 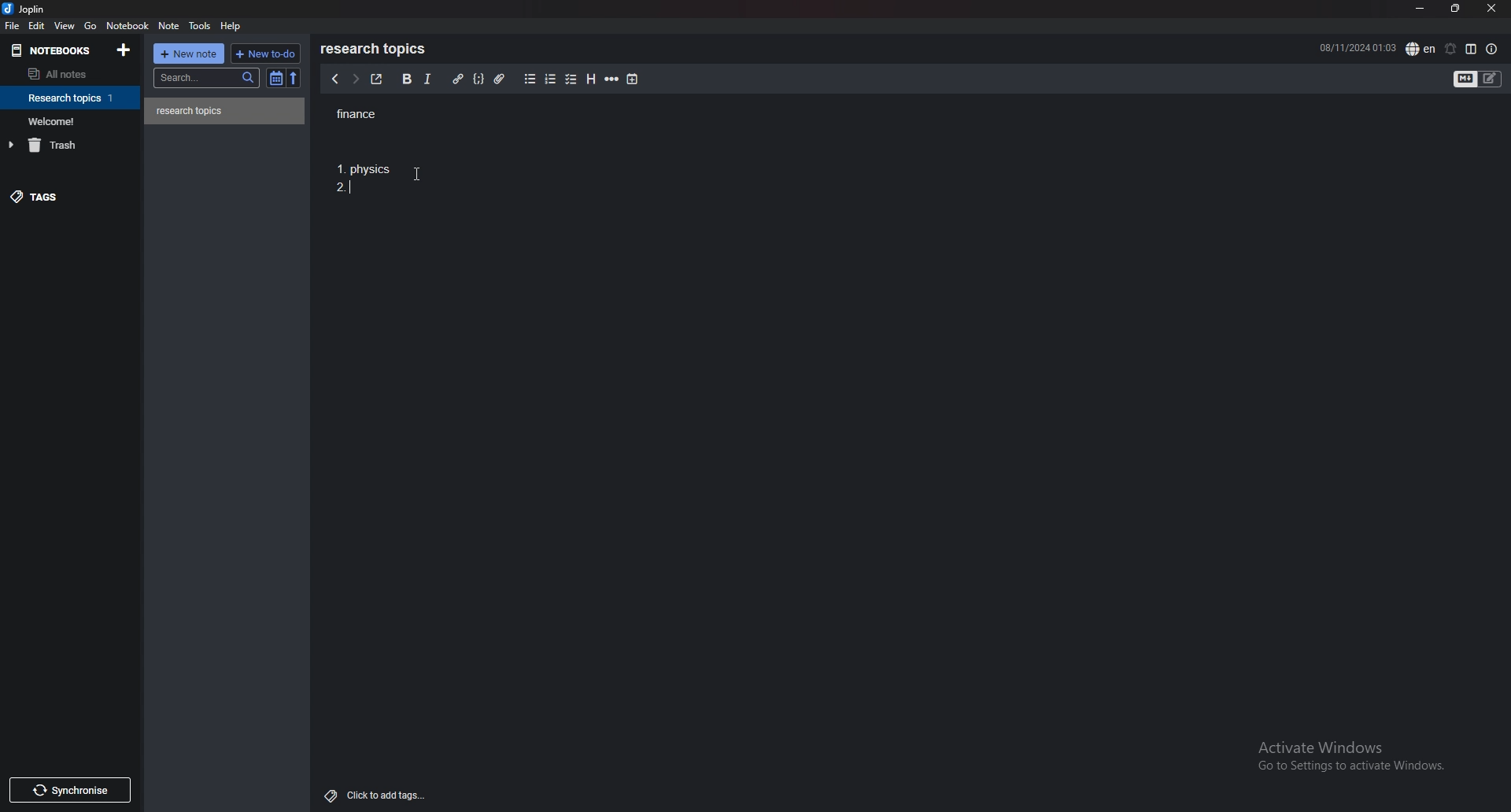 What do you see at coordinates (65, 26) in the screenshot?
I see `view` at bounding box center [65, 26].